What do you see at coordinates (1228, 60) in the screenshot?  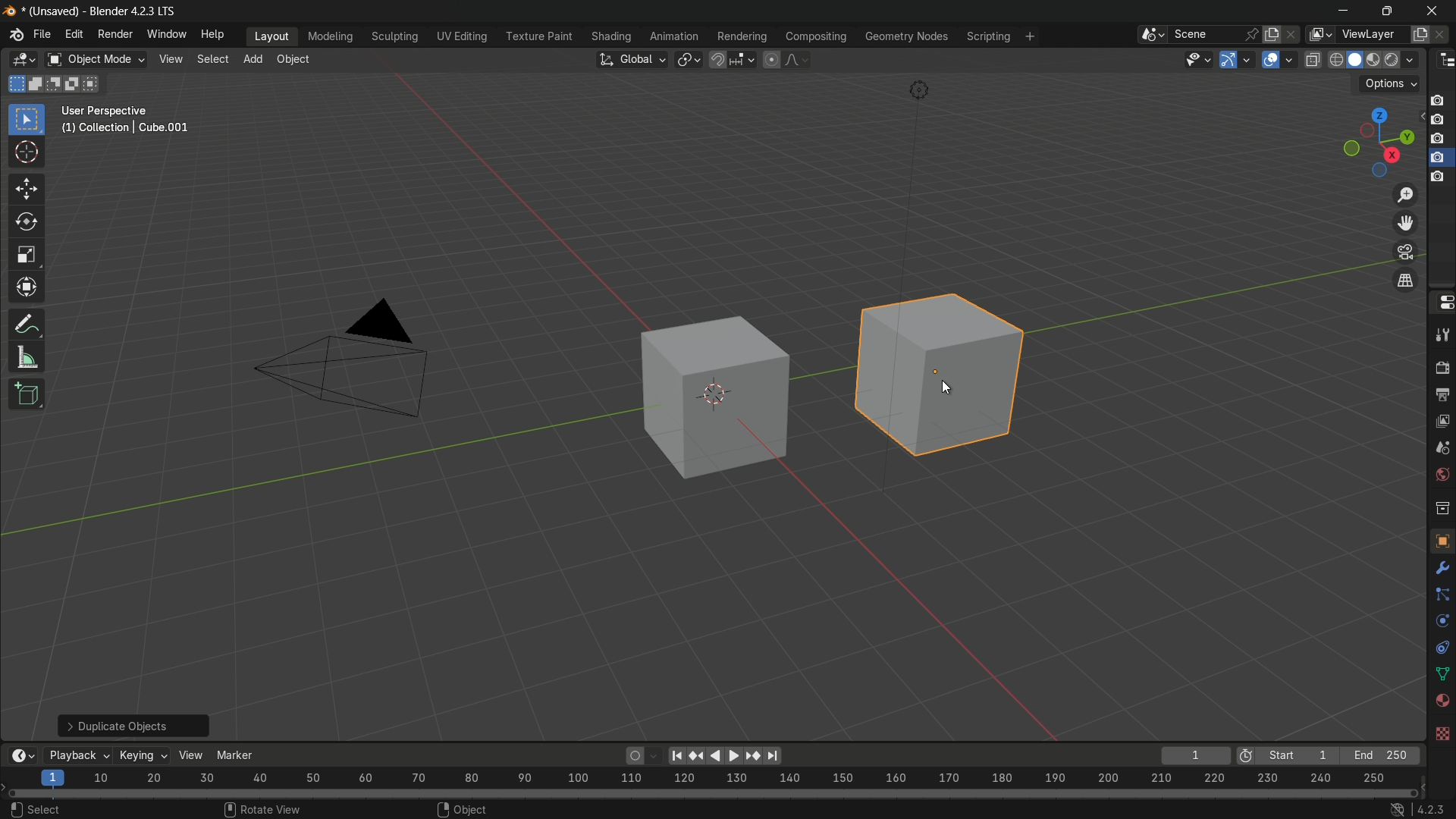 I see `show gizmo` at bounding box center [1228, 60].